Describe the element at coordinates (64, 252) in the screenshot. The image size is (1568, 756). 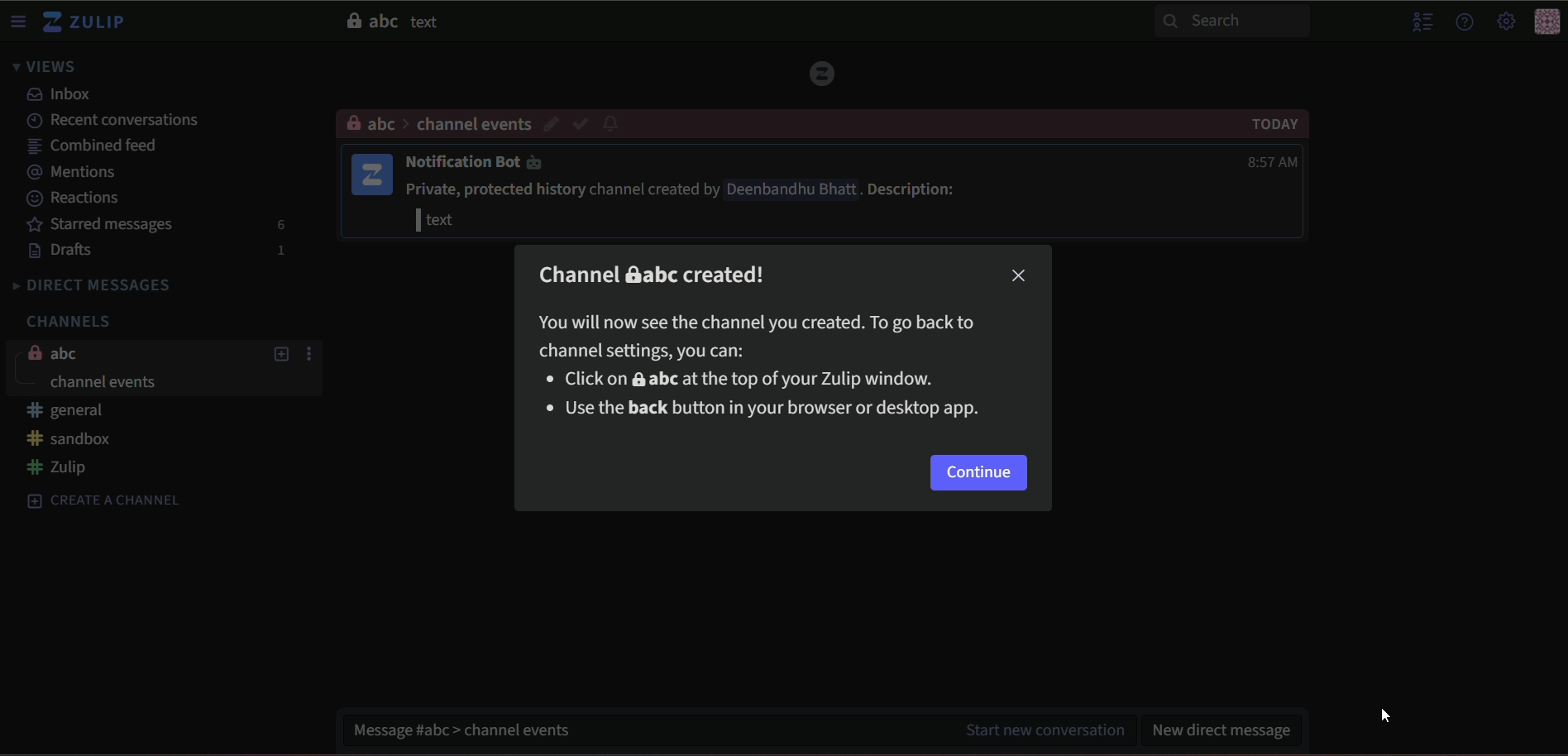
I see `drafts` at that location.